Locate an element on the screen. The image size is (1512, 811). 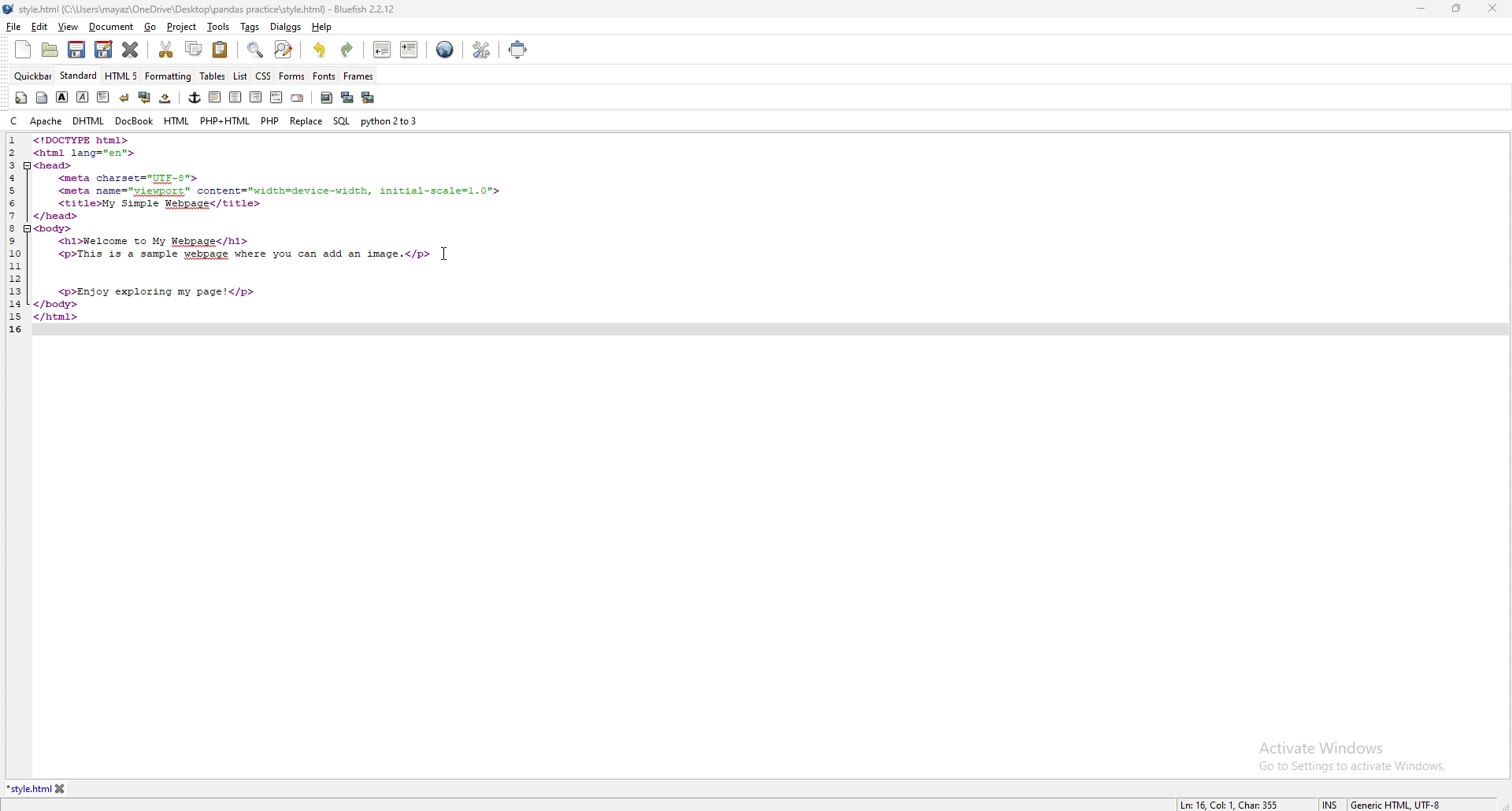
c is located at coordinates (16, 120).